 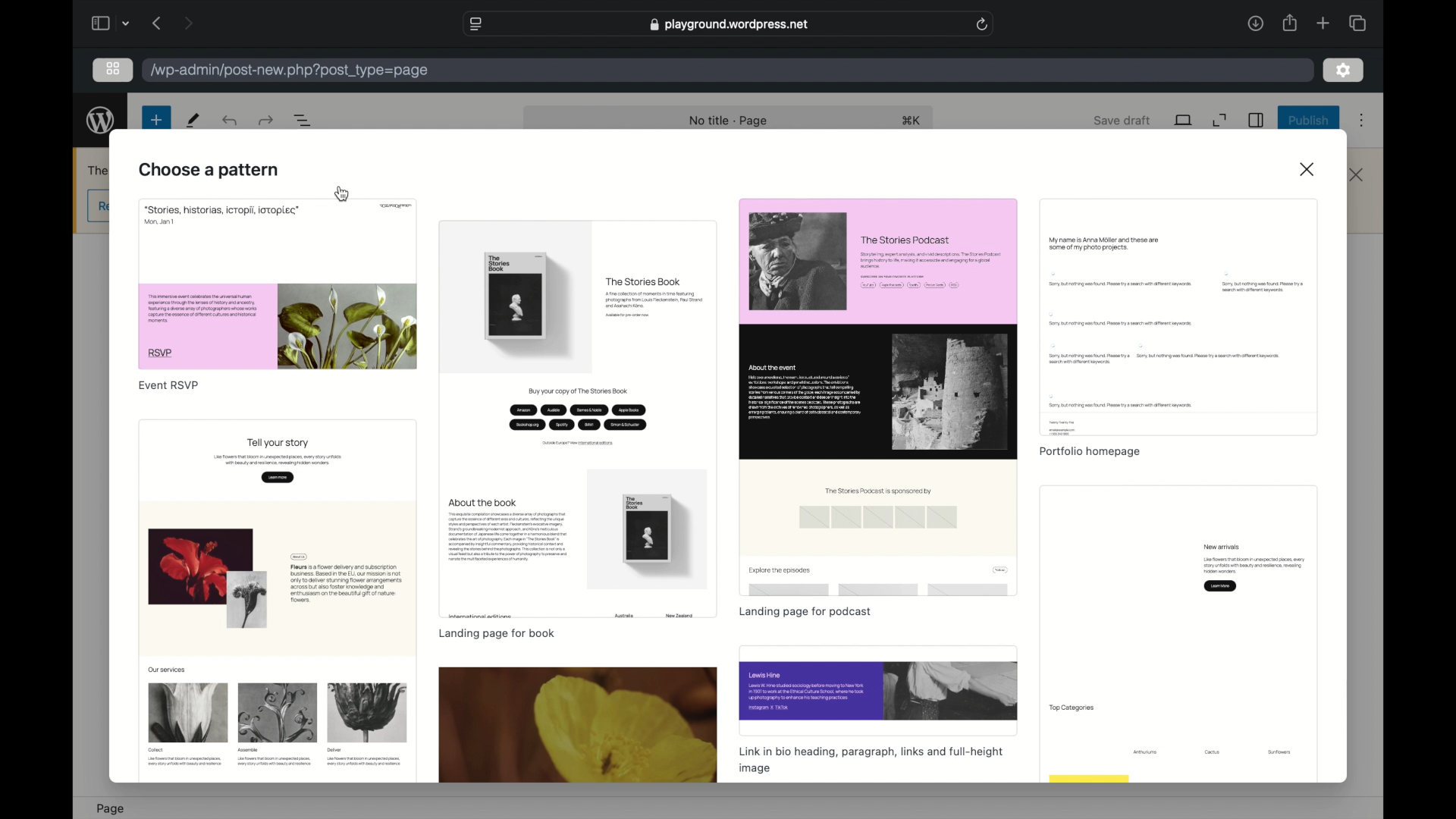 I want to click on preview, so click(x=879, y=397).